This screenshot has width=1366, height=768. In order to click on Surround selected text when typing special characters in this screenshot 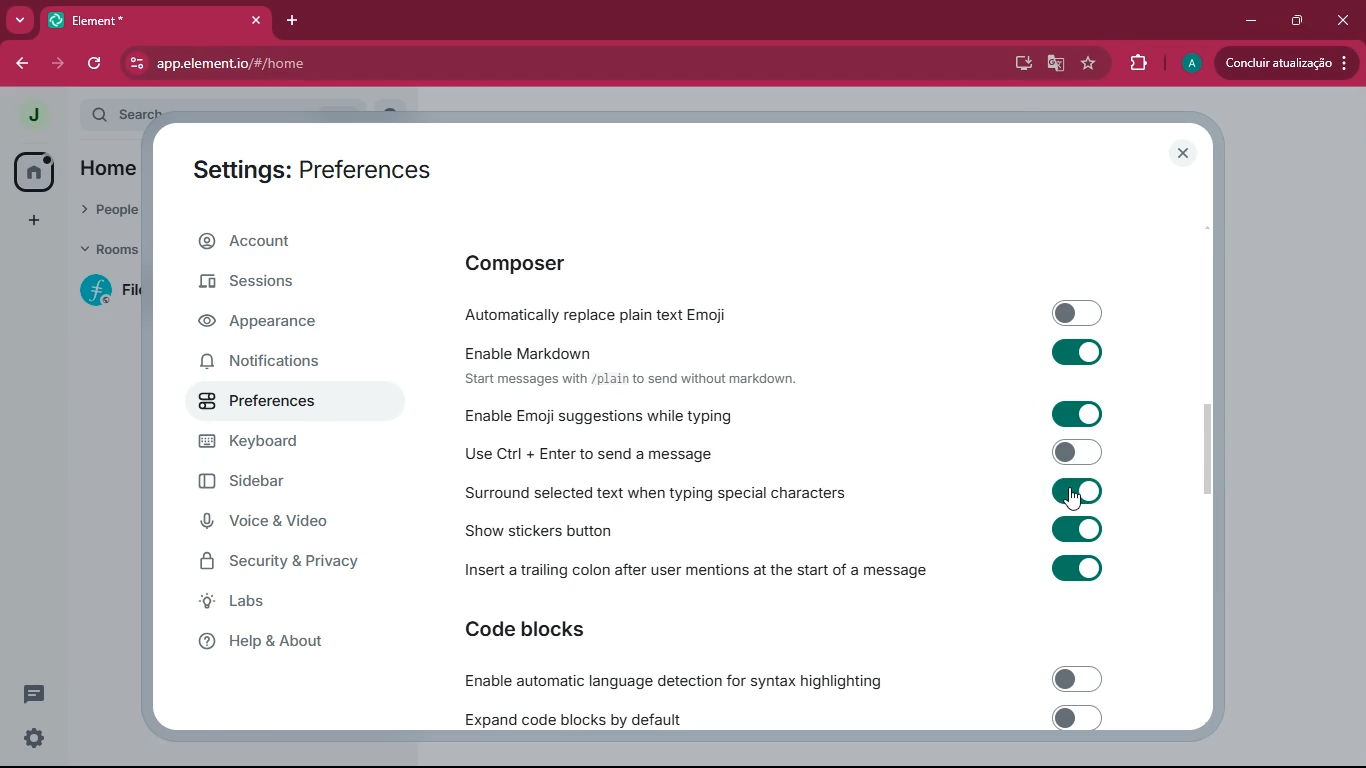, I will do `click(734, 491)`.